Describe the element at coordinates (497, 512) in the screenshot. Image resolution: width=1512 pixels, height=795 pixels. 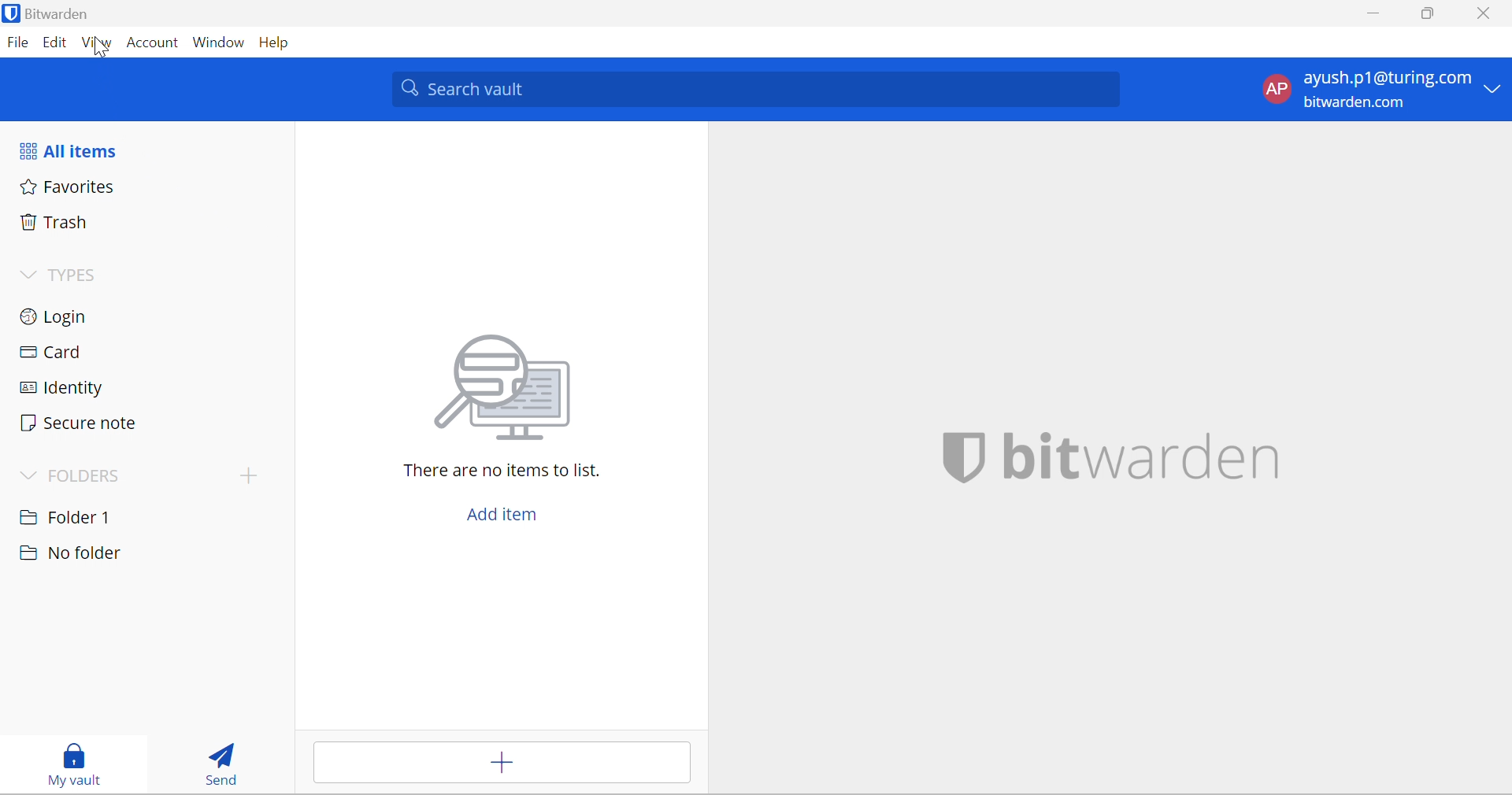
I see `Add item` at that location.